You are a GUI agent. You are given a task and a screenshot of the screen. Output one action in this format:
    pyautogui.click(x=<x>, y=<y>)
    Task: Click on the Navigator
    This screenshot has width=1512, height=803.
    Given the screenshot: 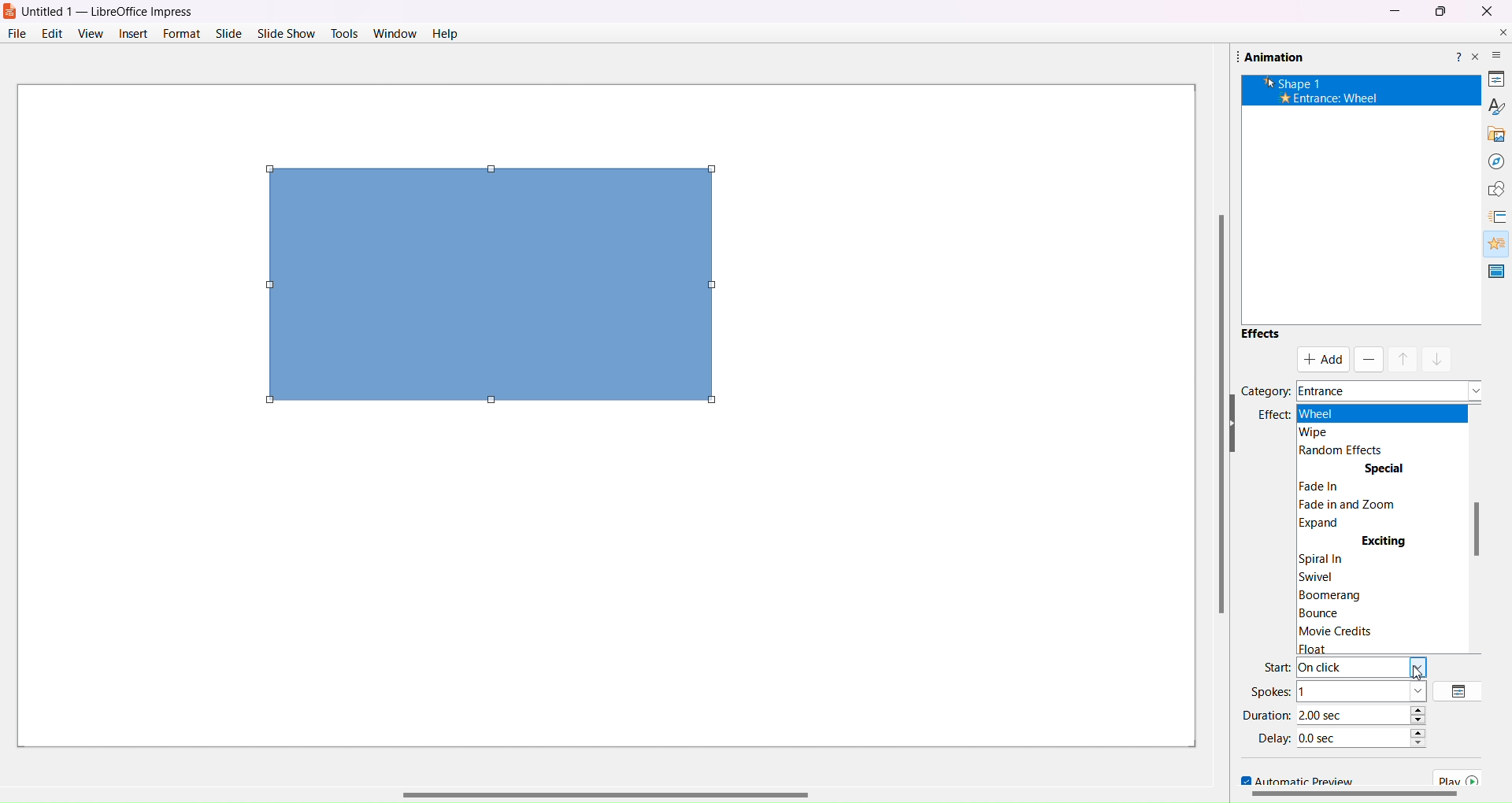 What is the action you would take?
    pyautogui.click(x=1490, y=161)
    